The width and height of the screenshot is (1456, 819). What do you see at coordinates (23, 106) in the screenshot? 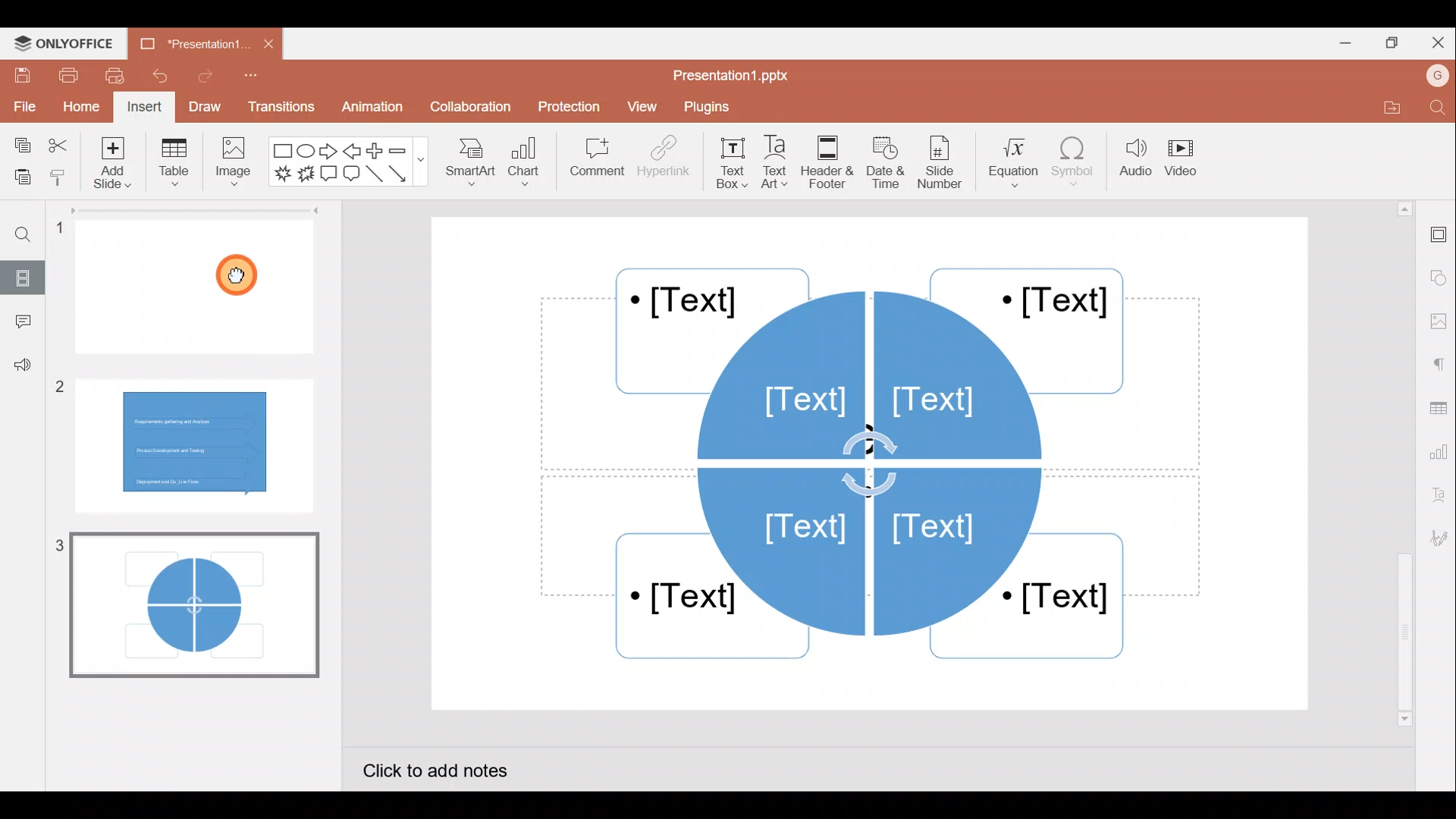
I see `File` at bounding box center [23, 106].